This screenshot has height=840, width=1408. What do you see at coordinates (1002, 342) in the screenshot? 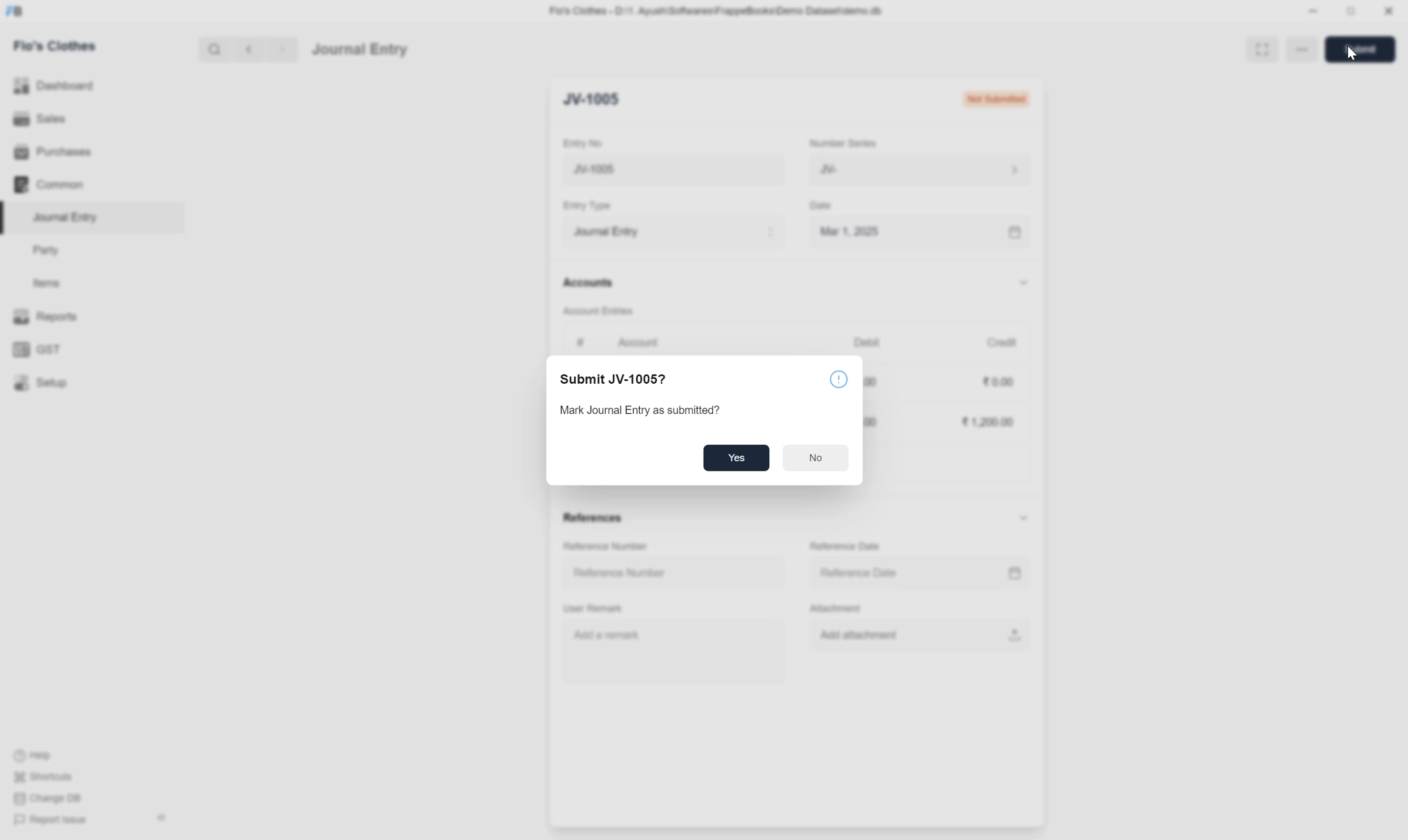
I see `Credit` at bounding box center [1002, 342].